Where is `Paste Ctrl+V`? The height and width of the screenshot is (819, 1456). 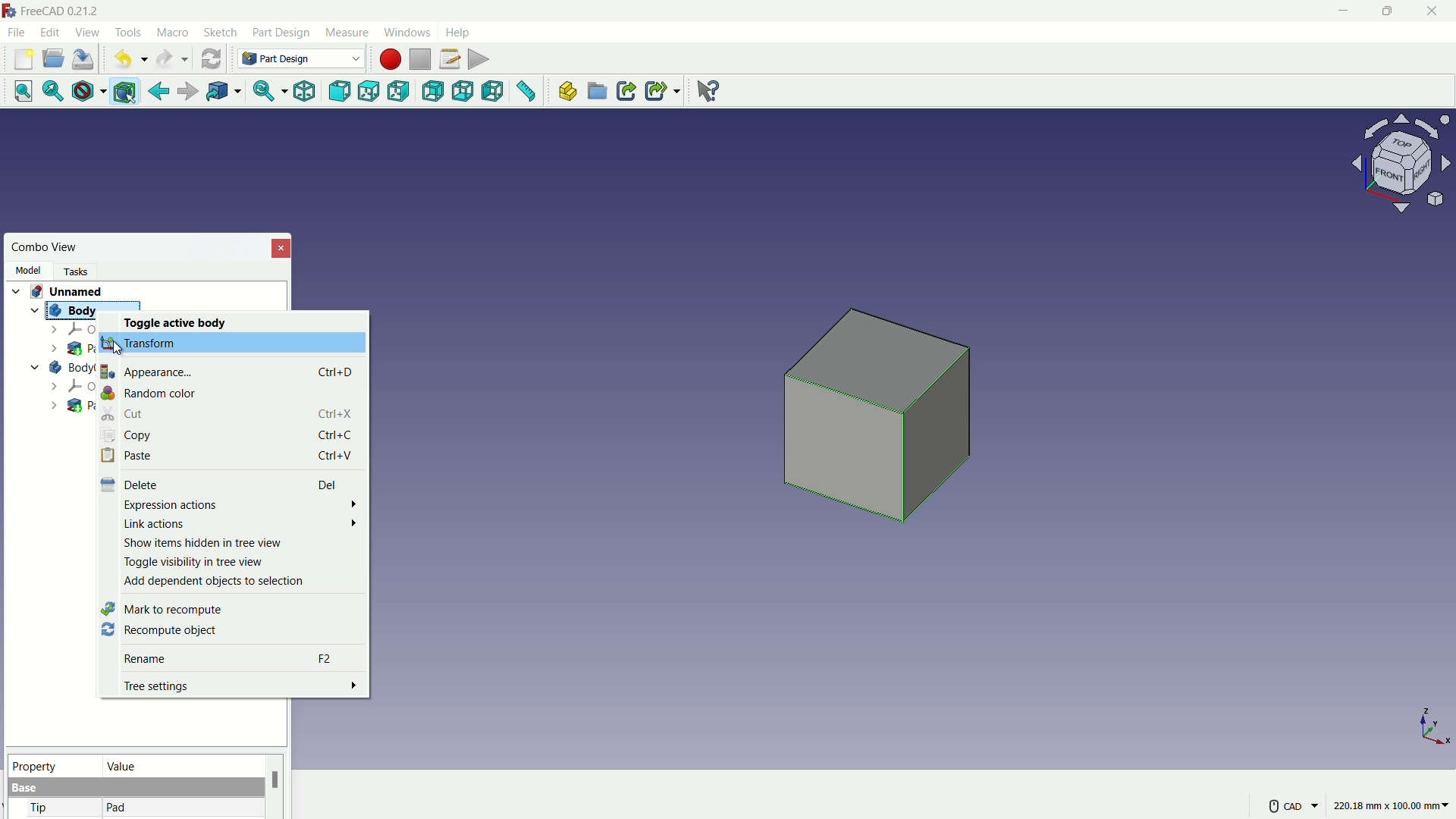
Paste Ctrl+V is located at coordinates (231, 453).